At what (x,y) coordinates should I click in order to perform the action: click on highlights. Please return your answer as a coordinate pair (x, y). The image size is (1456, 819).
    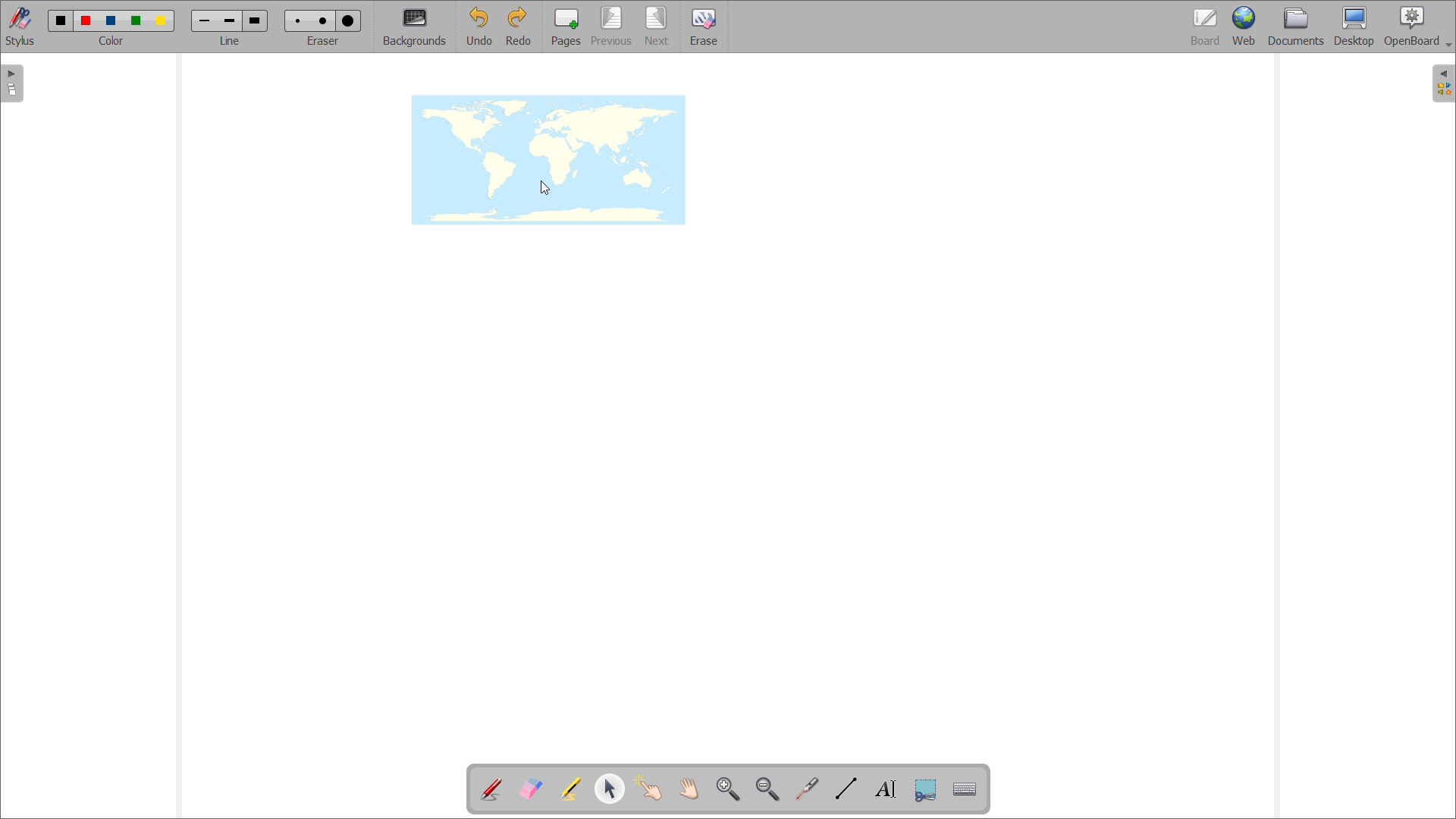
    Looking at the image, I should click on (570, 790).